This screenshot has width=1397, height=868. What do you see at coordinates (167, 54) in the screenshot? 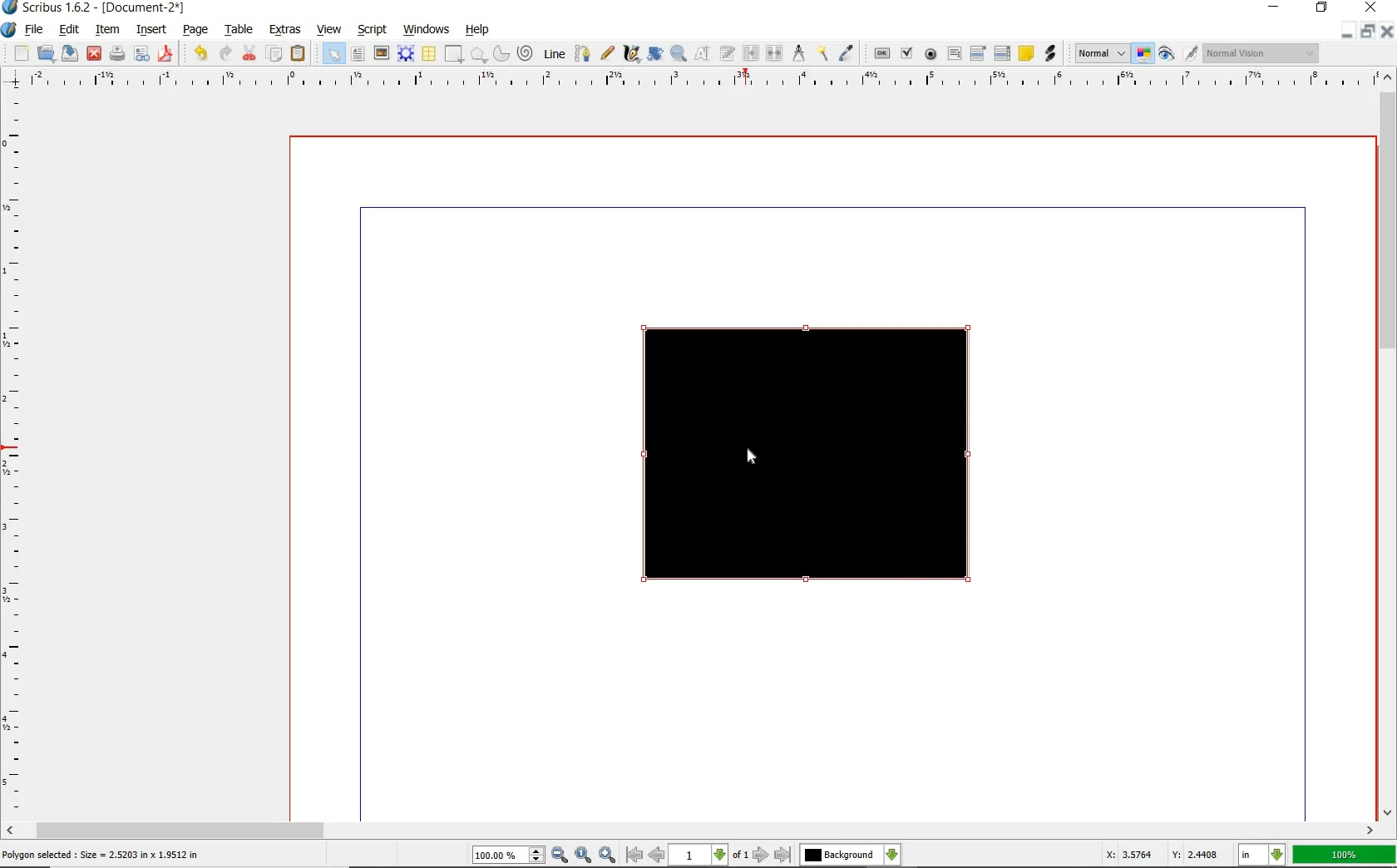
I see `save as pdf` at bounding box center [167, 54].